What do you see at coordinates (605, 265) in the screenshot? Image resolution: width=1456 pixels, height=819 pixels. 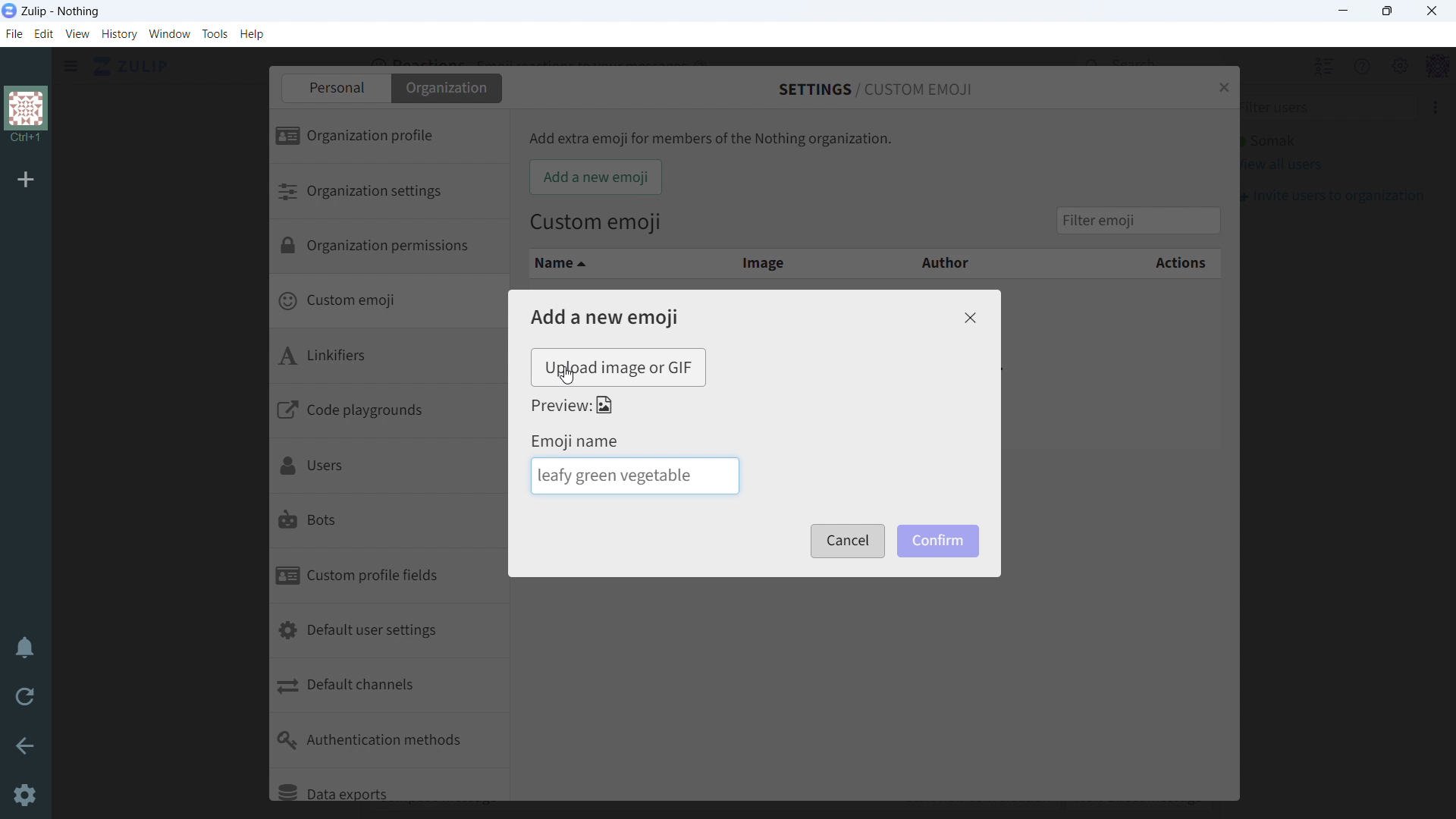 I see `name` at bounding box center [605, 265].